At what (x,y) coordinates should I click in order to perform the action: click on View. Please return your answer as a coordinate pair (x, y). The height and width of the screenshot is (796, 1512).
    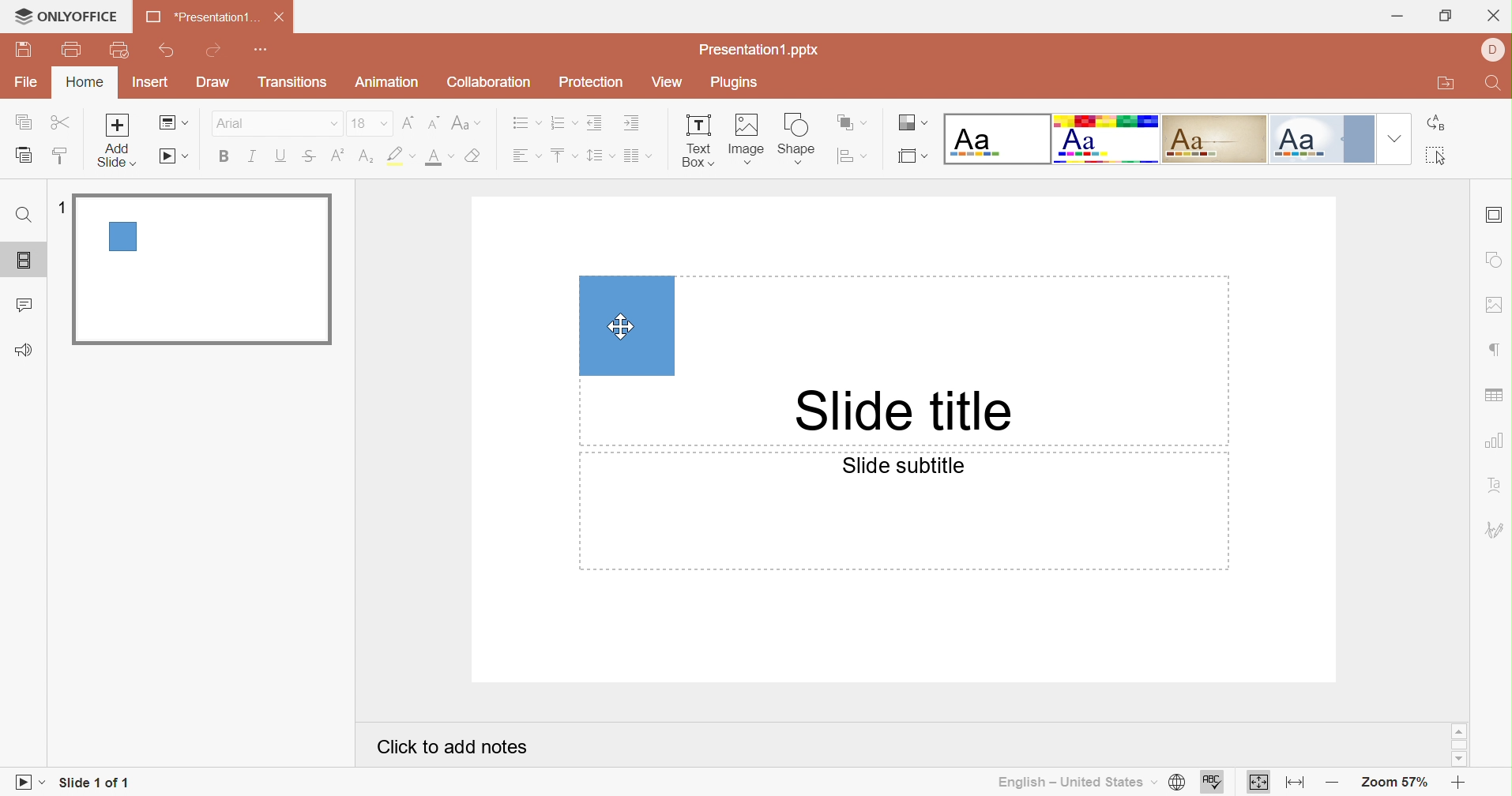
    Looking at the image, I should click on (668, 83).